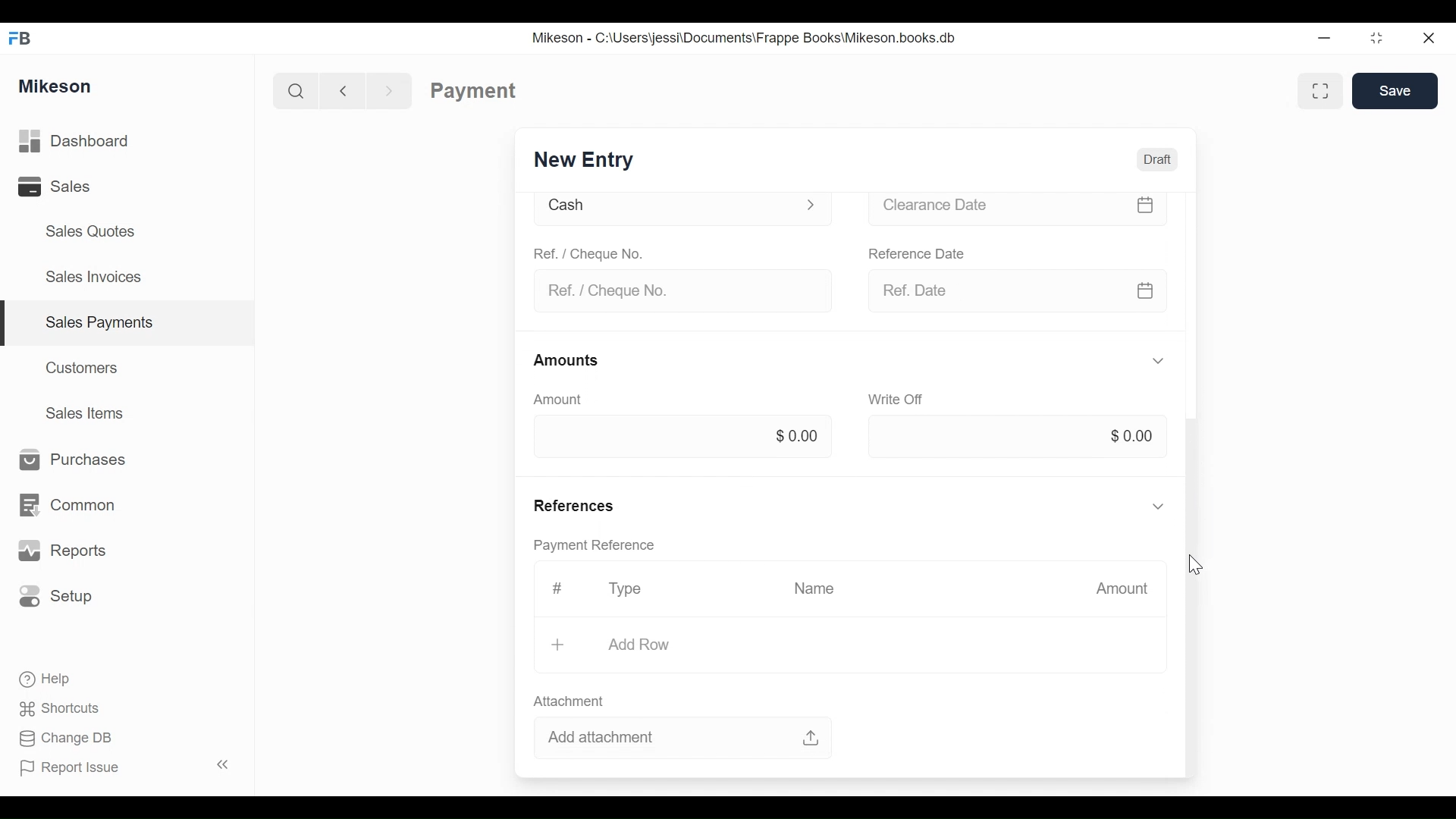 This screenshot has height=819, width=1456. I want to click on Close, so click(1426, 36).